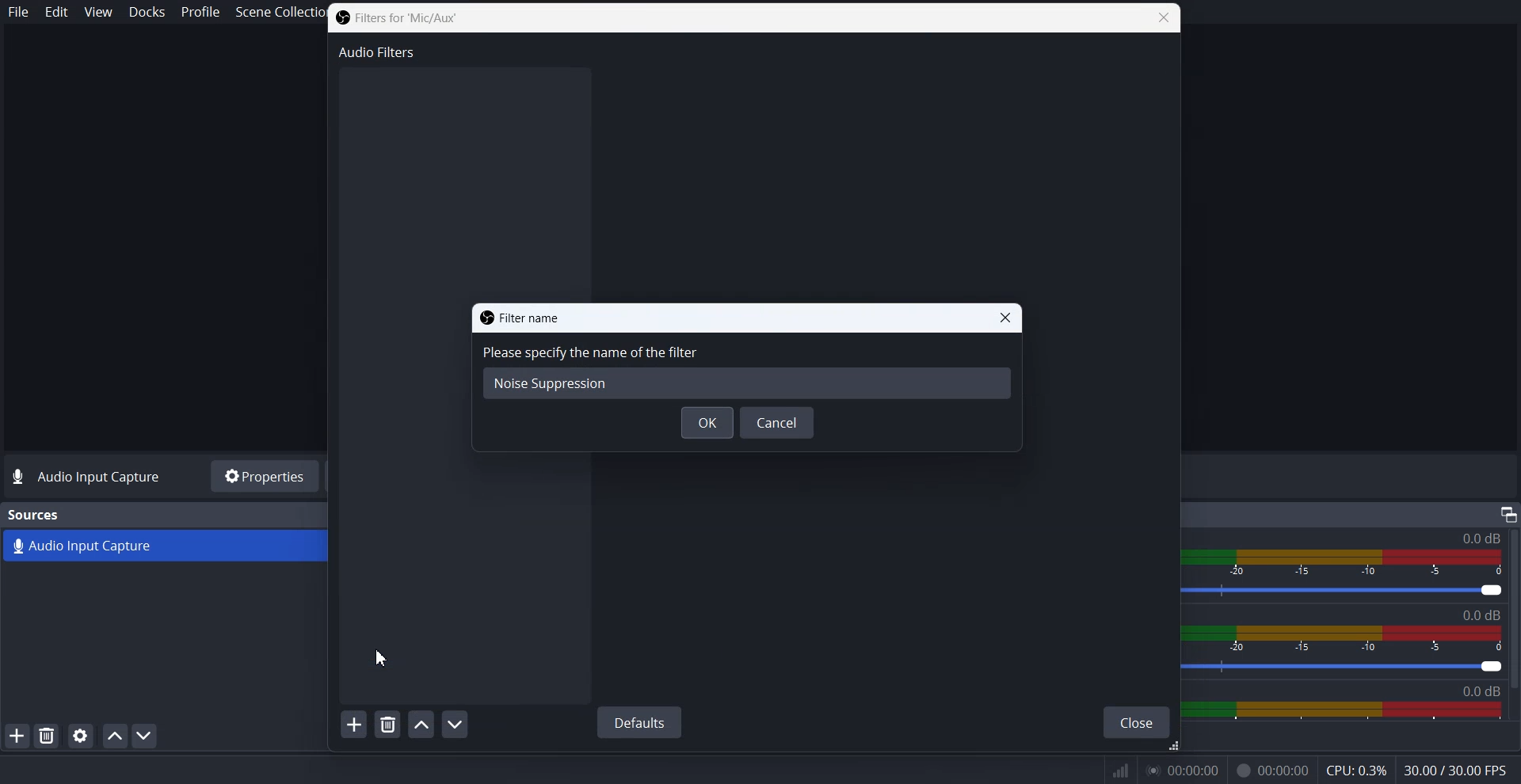 The height and width of the screenshot is (784, 1521). Describe the element at coordinates (89, 478) in the screenshot. I see `Text ` at that location.